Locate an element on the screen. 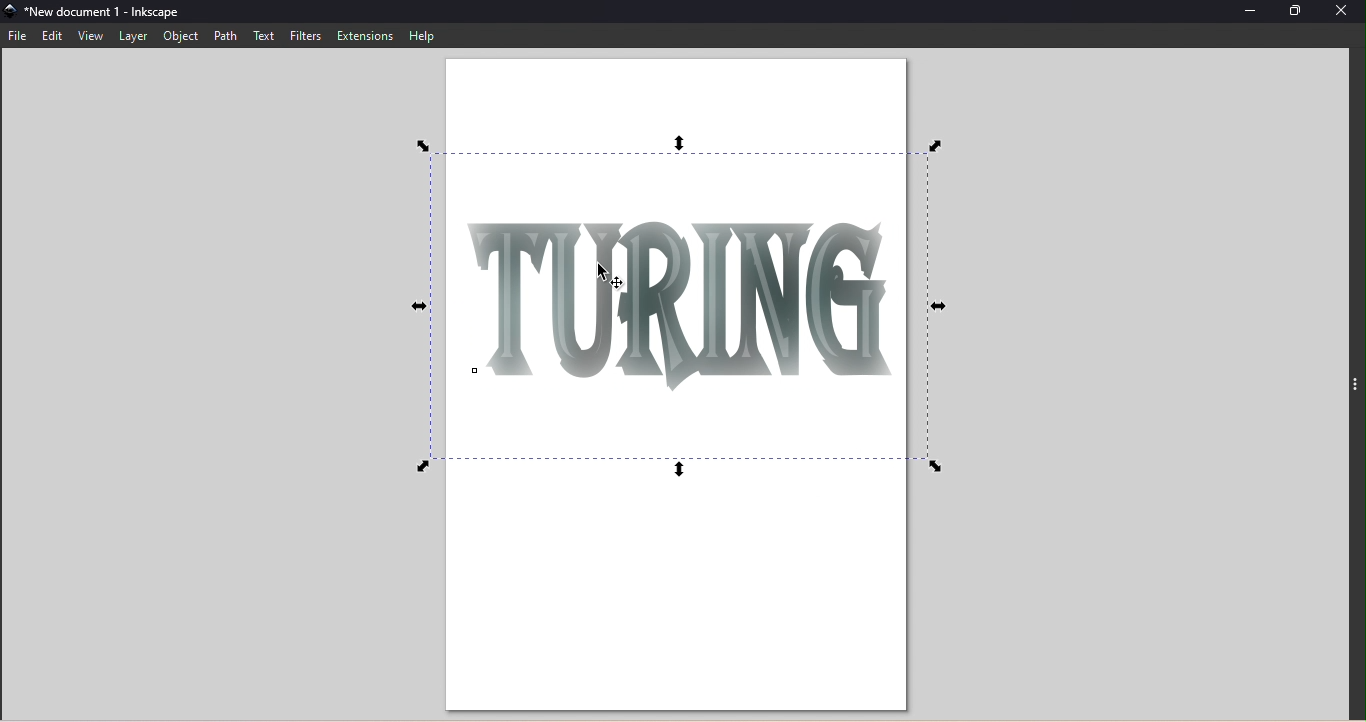 This screenshot has width=1366, height=722. Minimize is located at coordinates (1251, 11).